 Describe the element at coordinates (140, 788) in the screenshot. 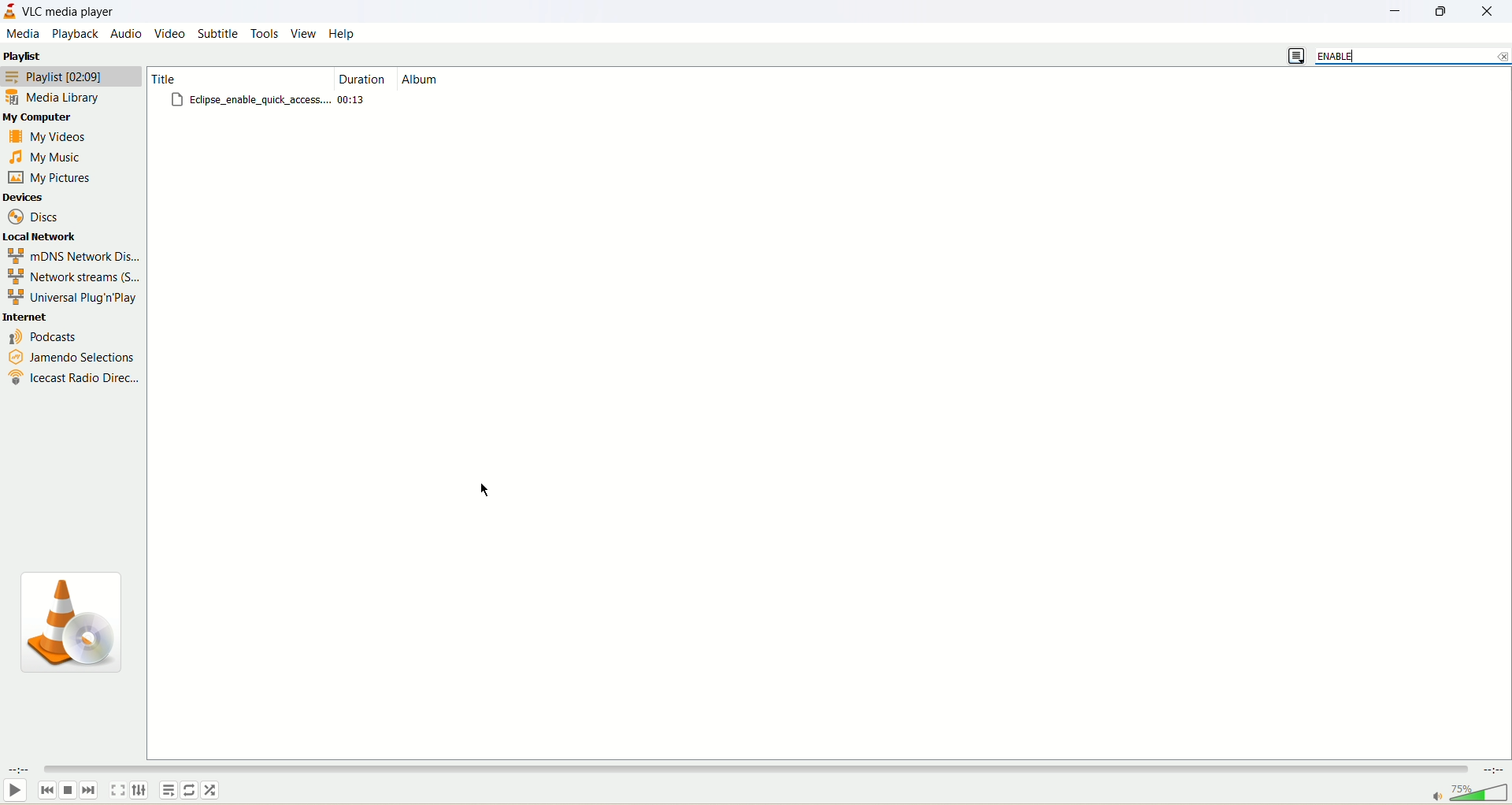

I see `extended settings` at that location.